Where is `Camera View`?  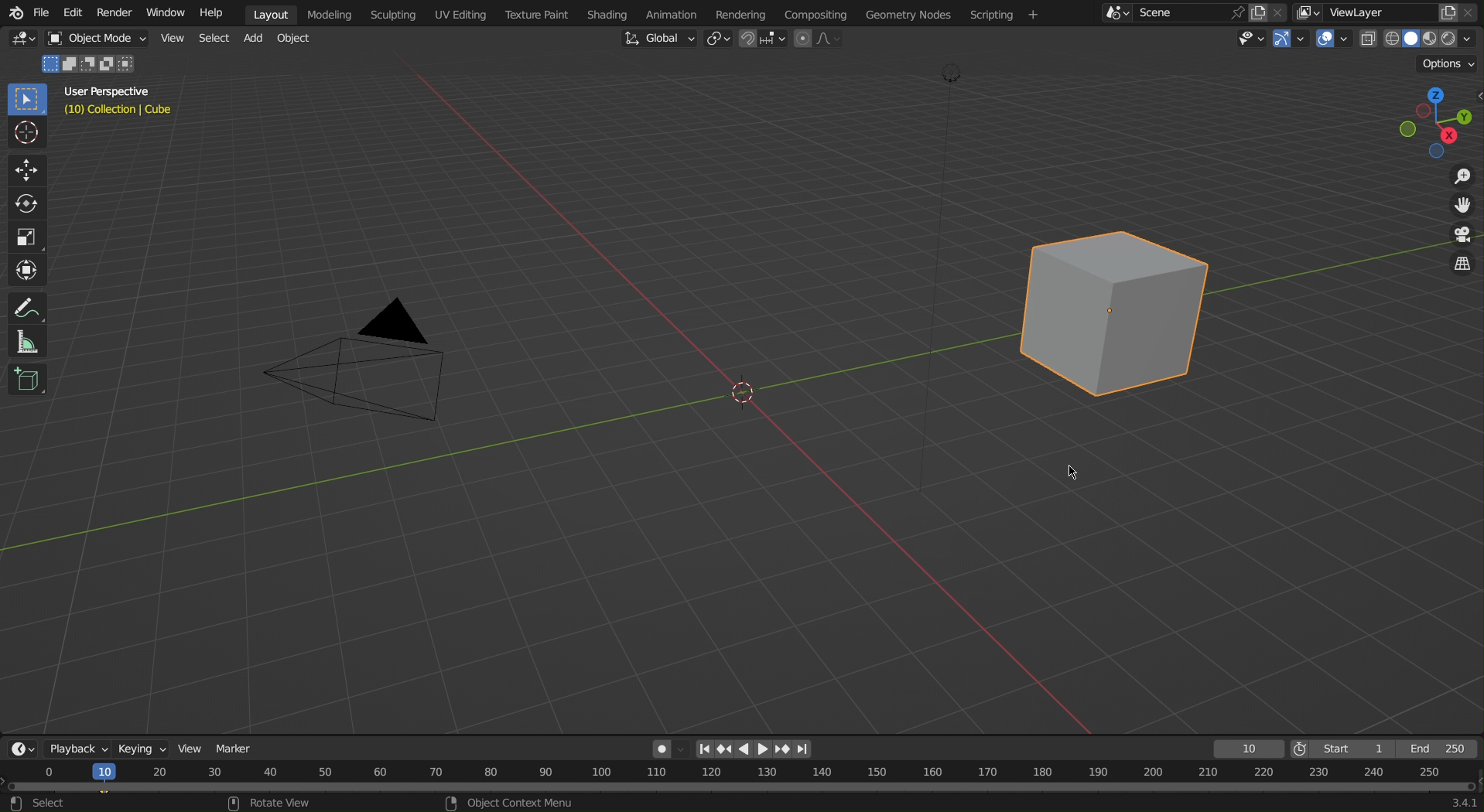 Camera View is located at coordinates (1460, 237).